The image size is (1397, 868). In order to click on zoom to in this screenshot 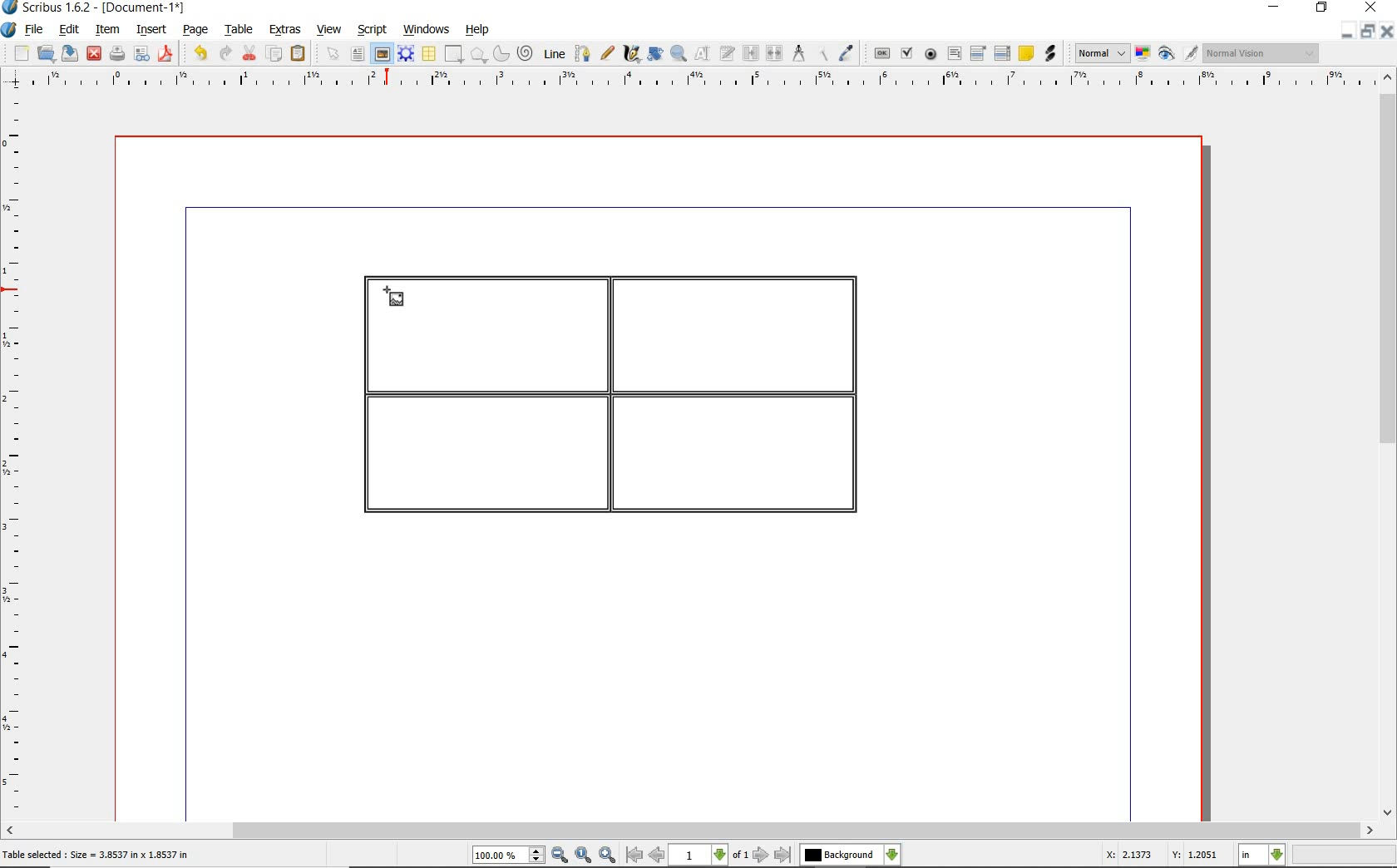, I will do `click(583, 856)`.